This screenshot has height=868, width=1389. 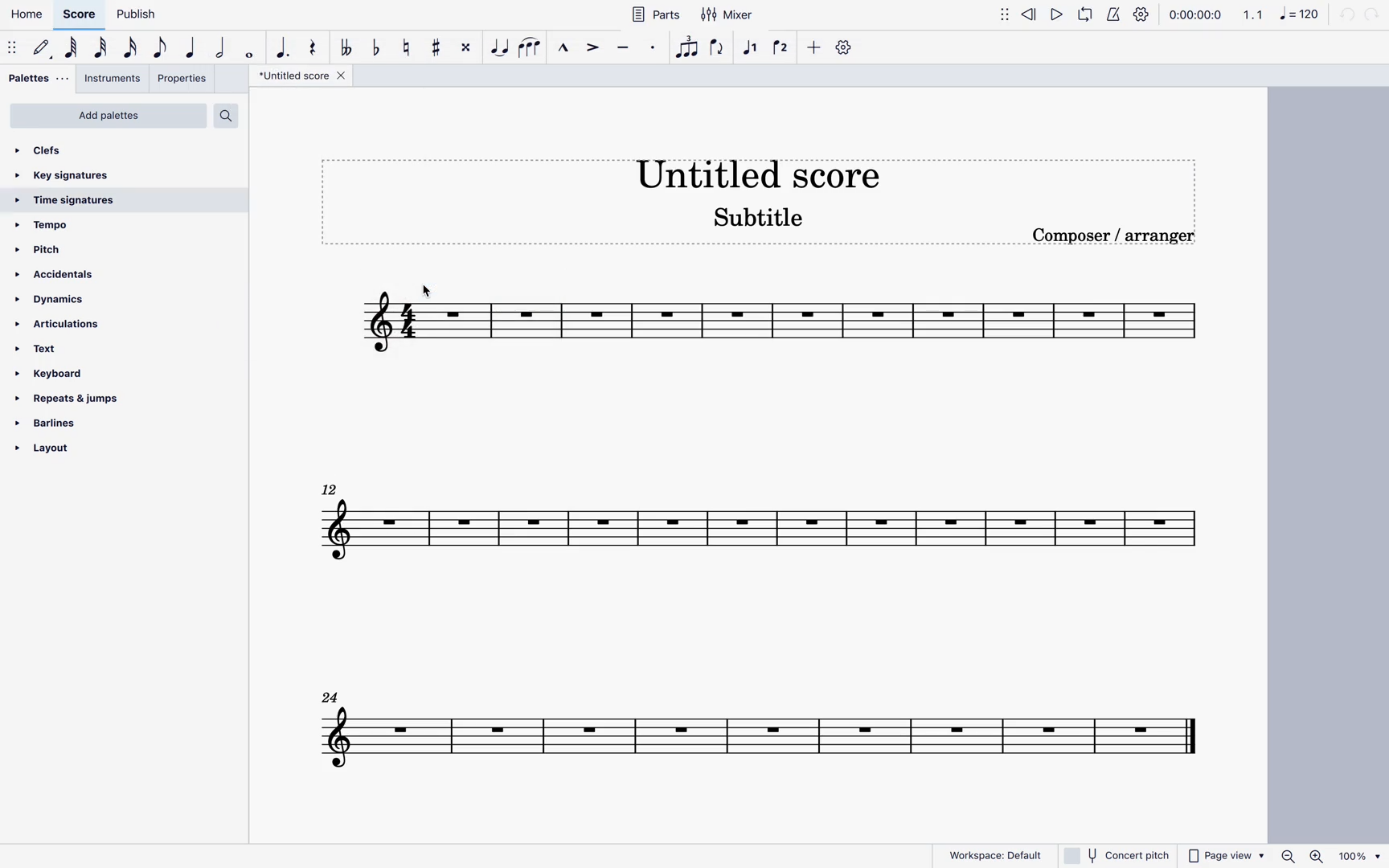 What do you see at coordinates (345, 77) in the screenshot?
I see `close` at bounding box center [345, 77].